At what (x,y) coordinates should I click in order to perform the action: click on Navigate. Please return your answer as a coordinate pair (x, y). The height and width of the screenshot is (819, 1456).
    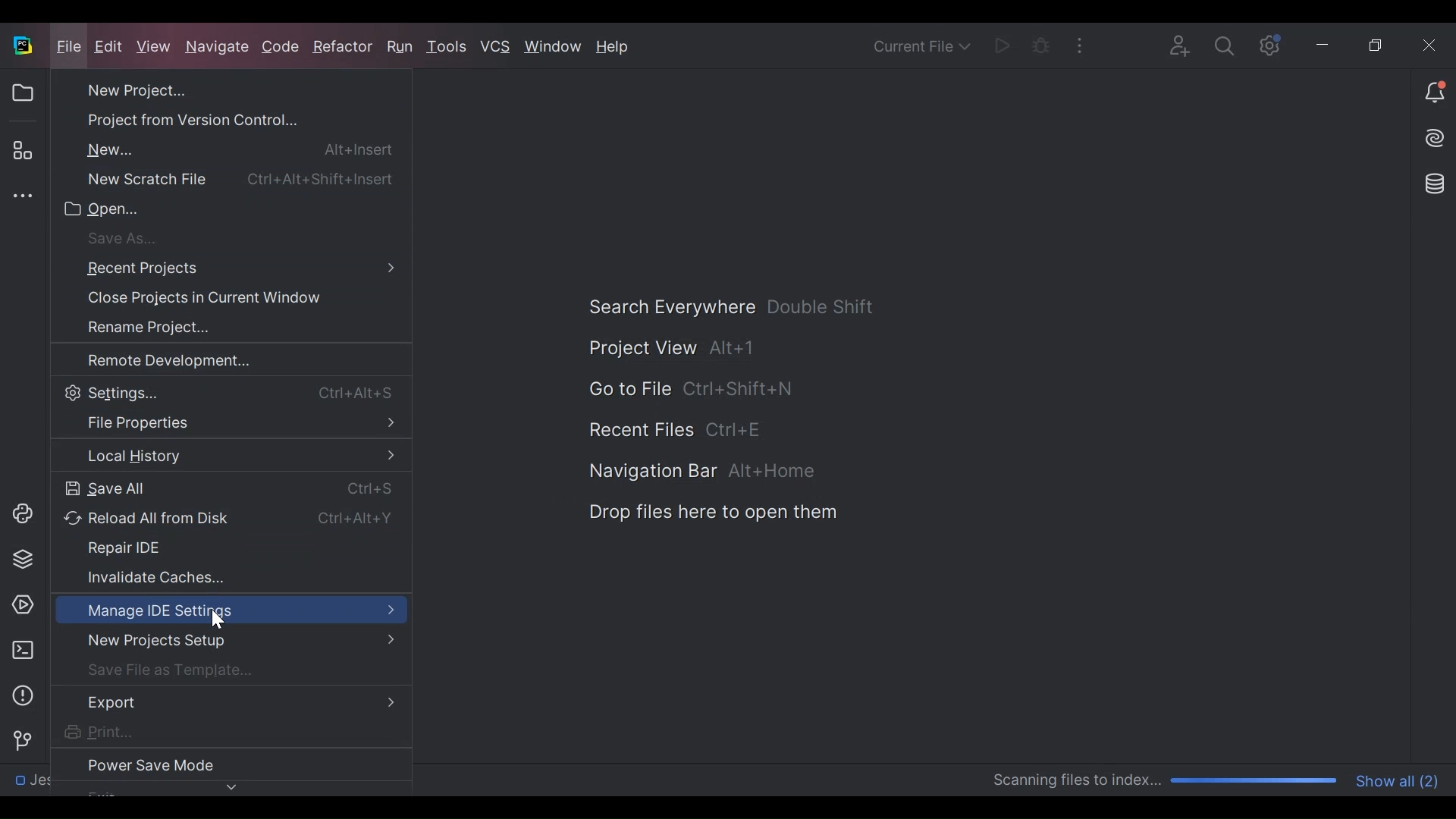
    Looking at the image, I should click on (218, 49).